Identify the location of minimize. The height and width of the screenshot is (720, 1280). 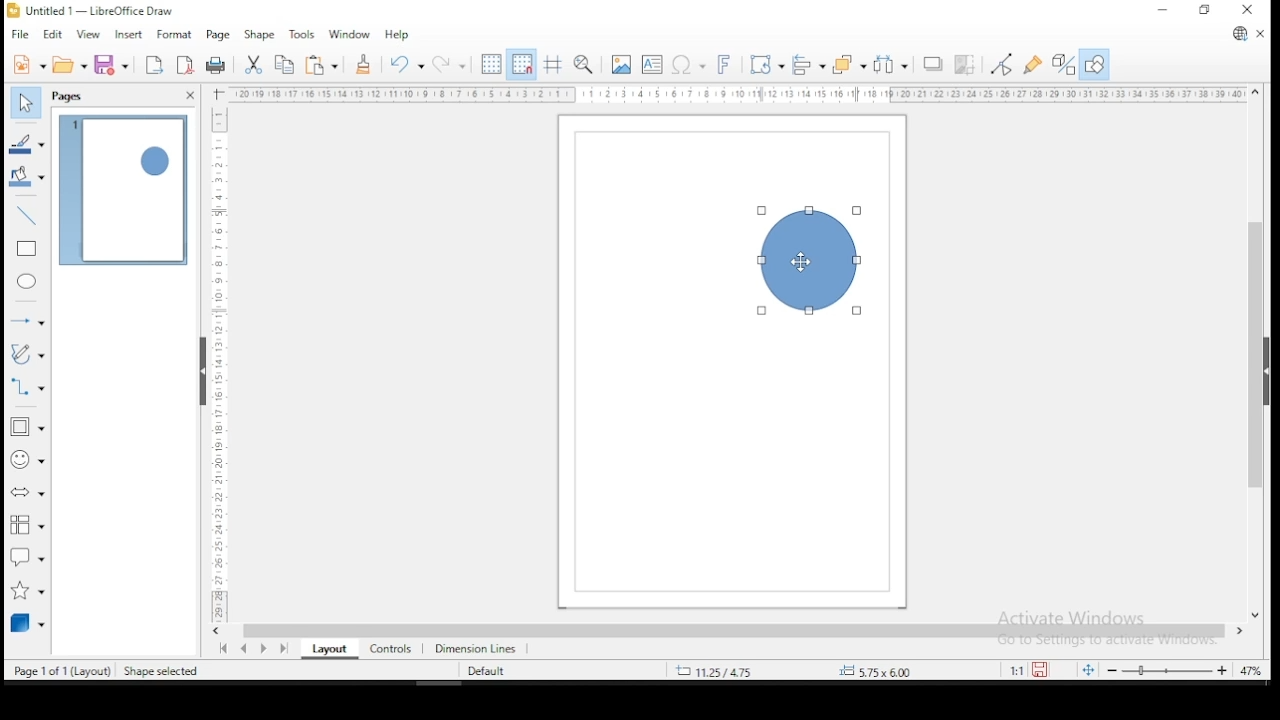
(1165, 9).